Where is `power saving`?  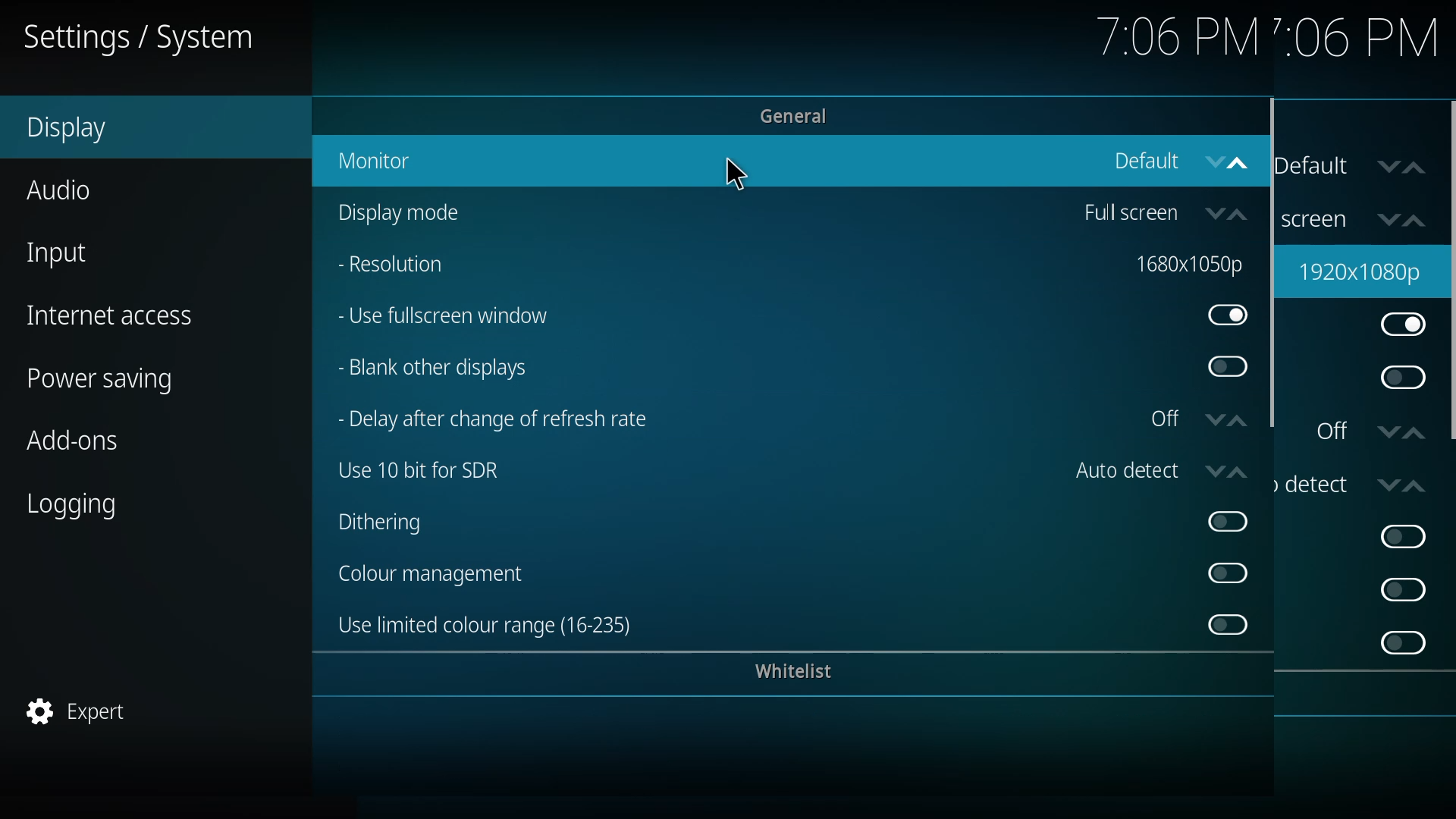
power saving is located at coordinates (130, 392).